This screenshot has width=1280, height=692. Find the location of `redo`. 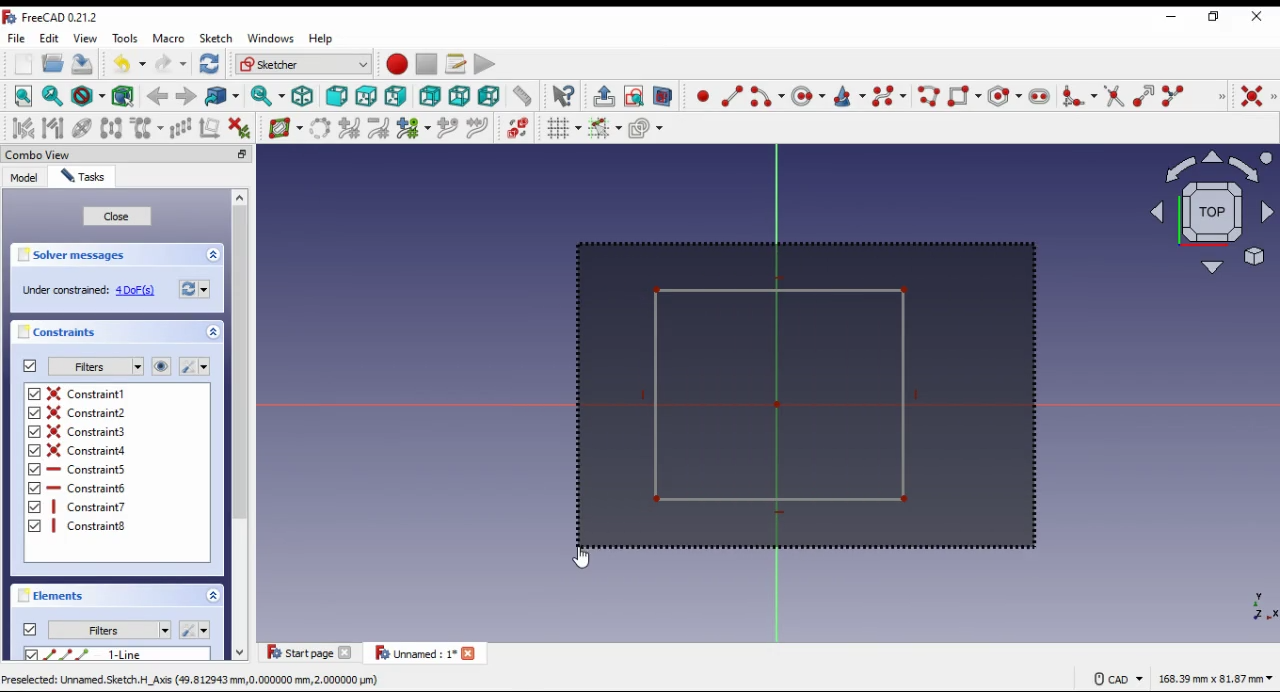

redo is located at coordinates (171, 64).